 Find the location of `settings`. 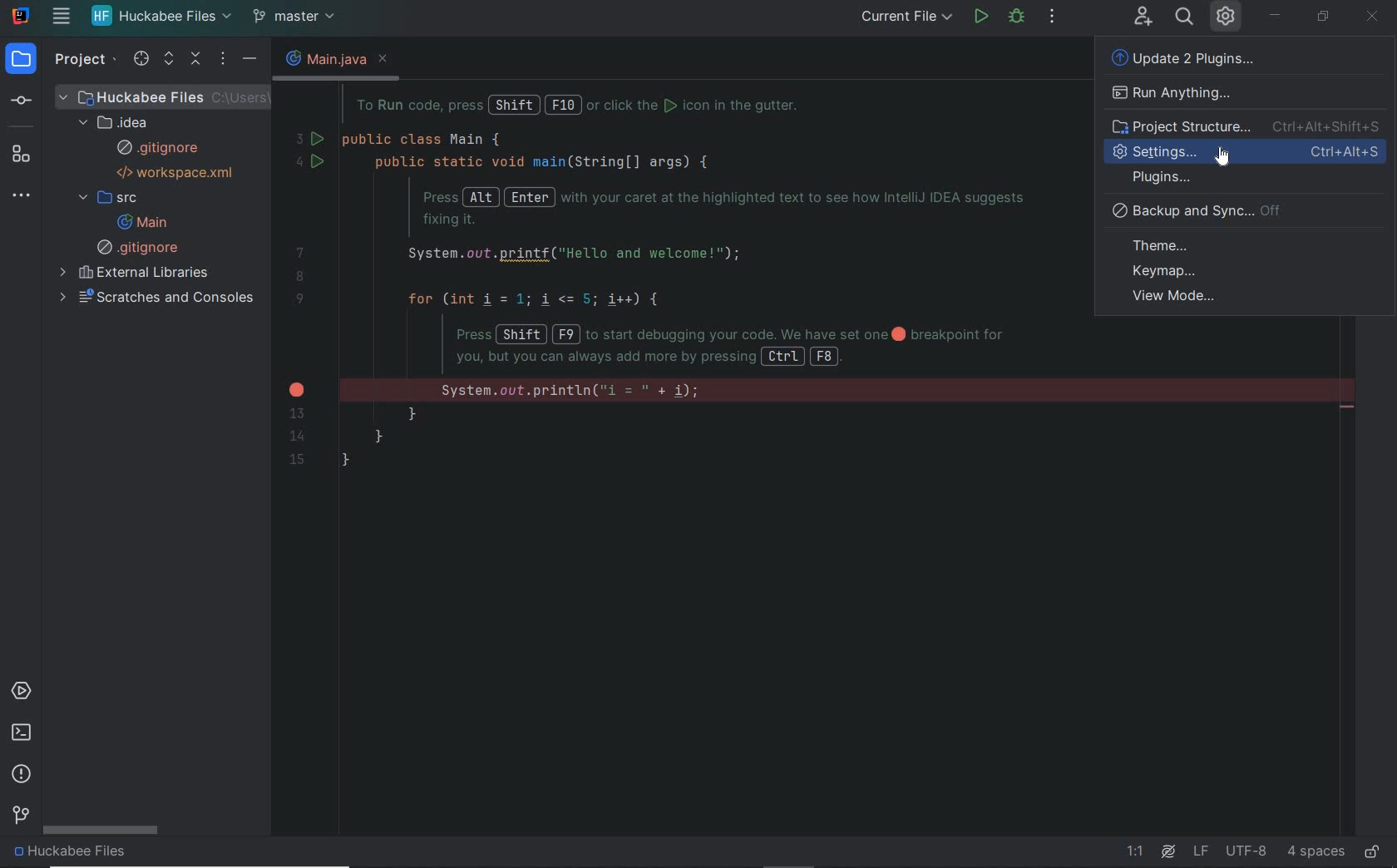

settings is located at coordinates (1158, 152).